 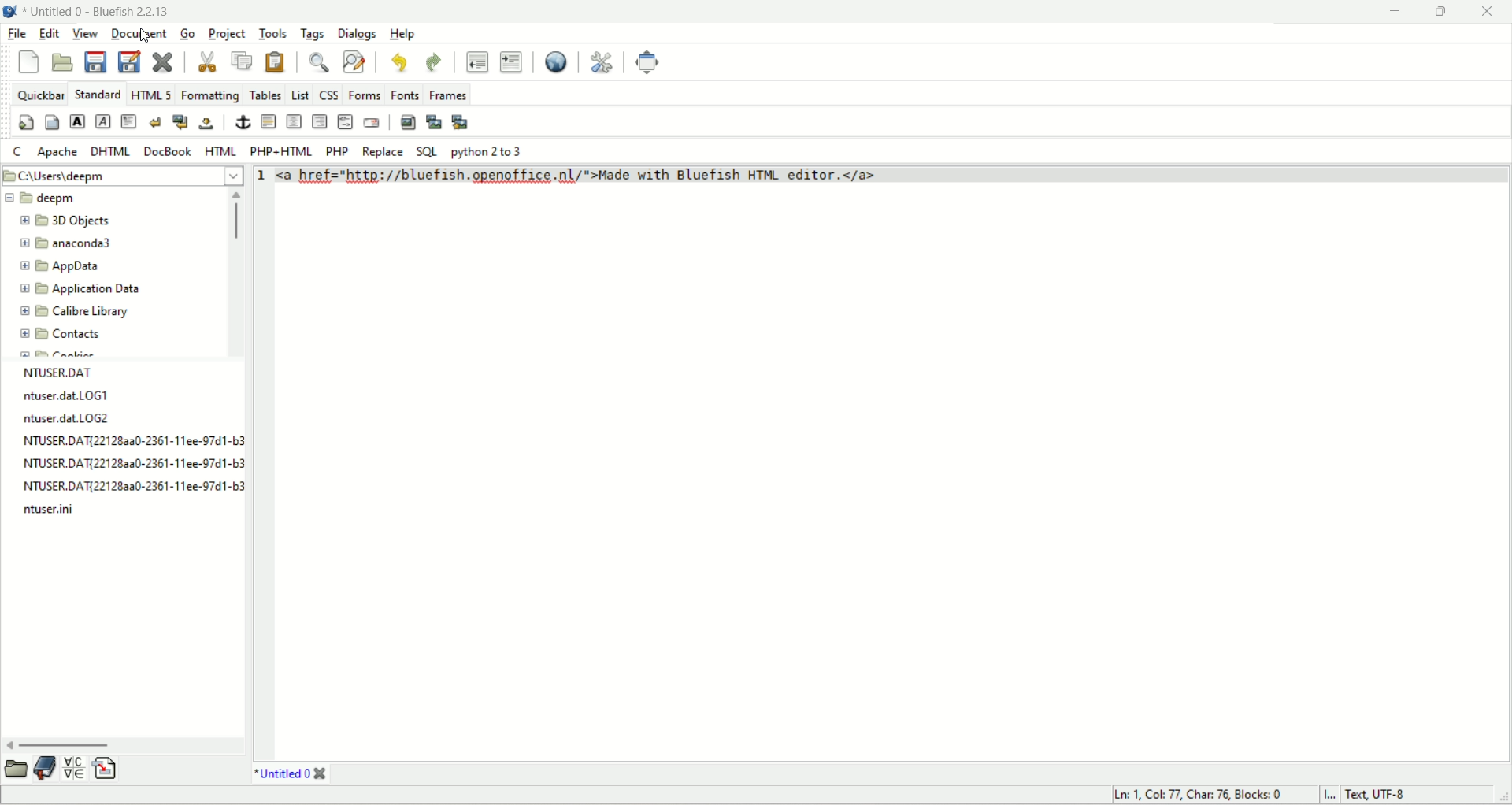 I want to click on CSS, so click(x=328, y=95).